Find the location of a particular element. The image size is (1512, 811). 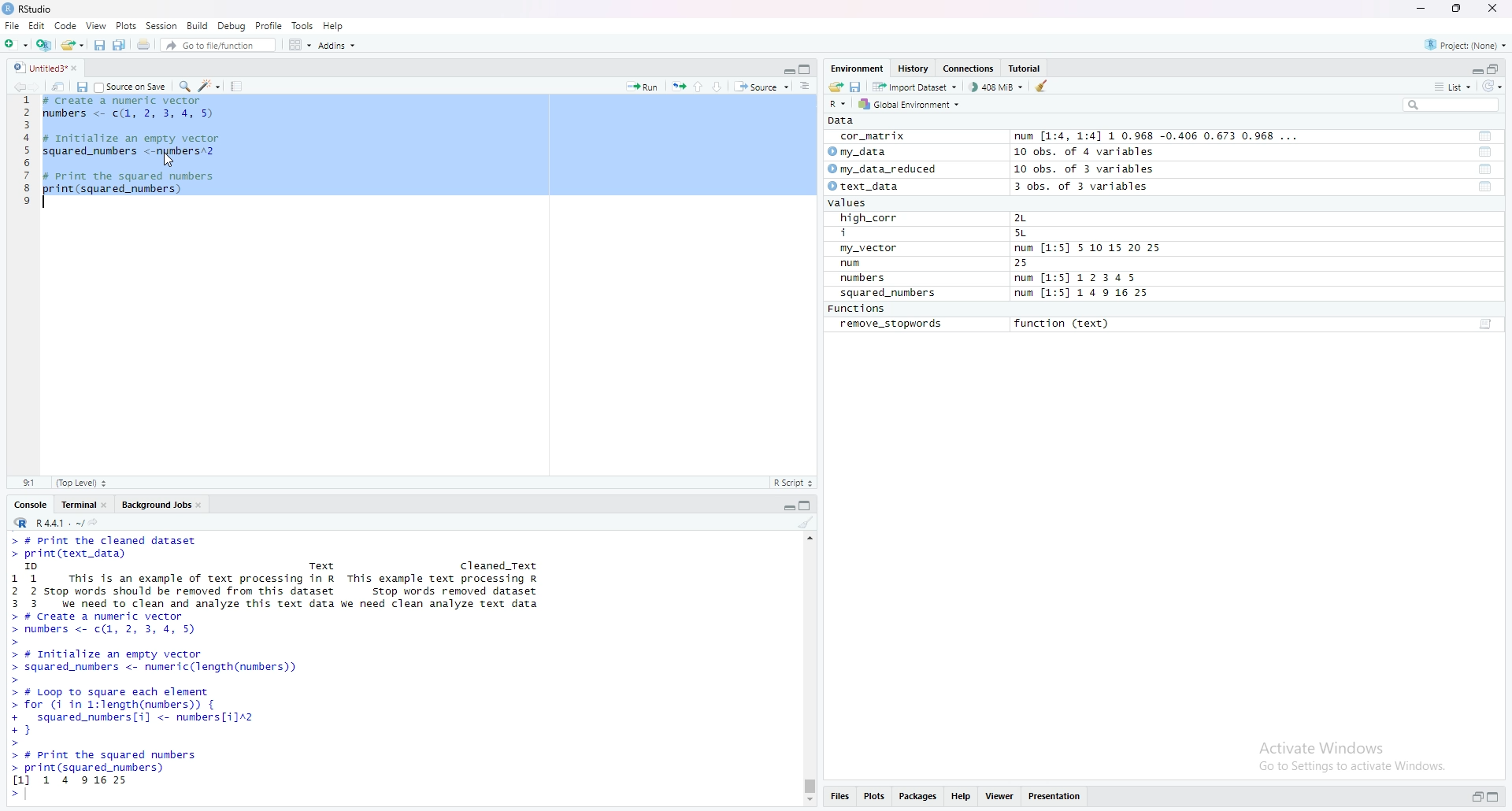

File is located at coordinates (12, 25).